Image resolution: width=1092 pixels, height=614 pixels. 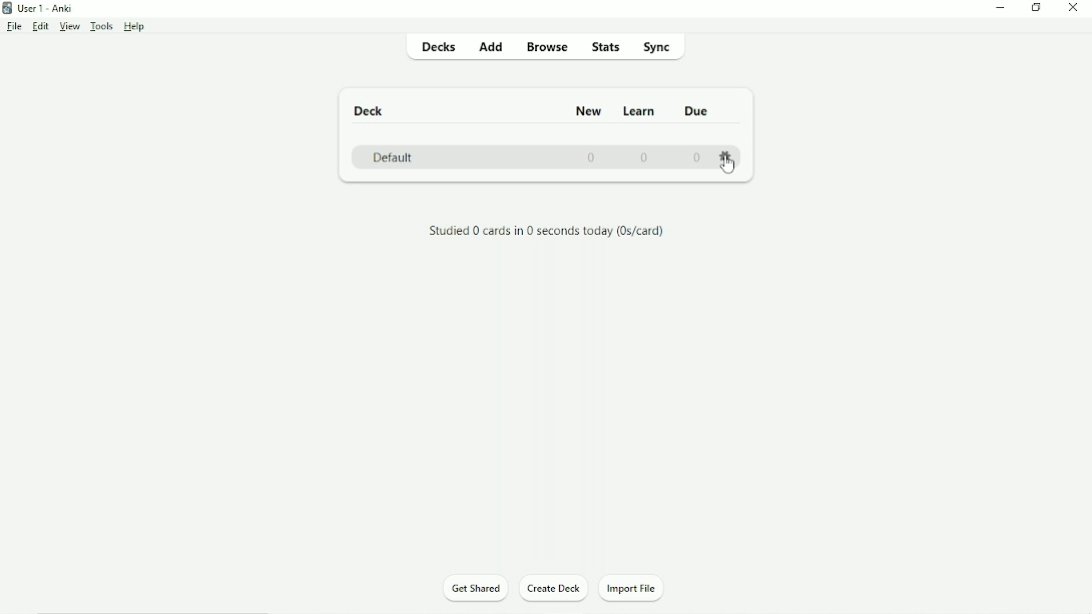 What do you see at coordinates (726, 153) in the screenshot?
I see `Settings` at bounding box center [726, 153].